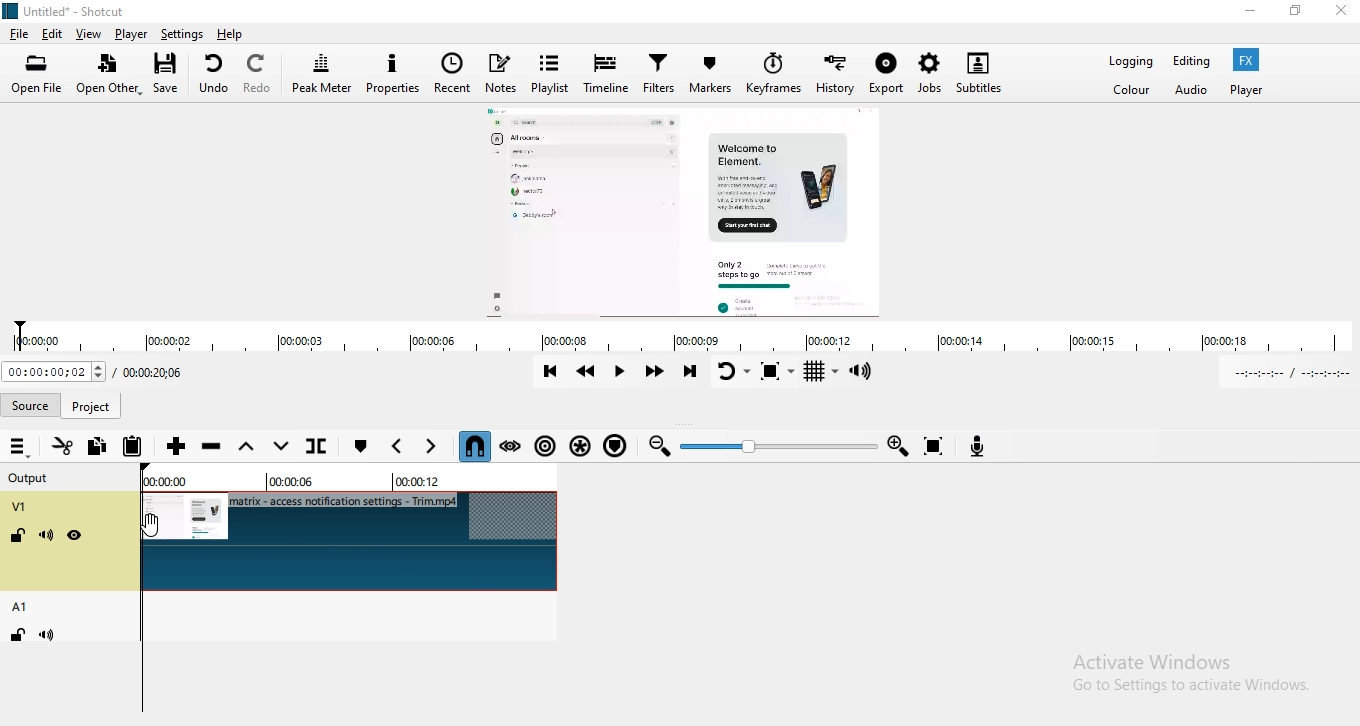 The image size is (1360, 726). What do you see at coordinates (1252, 89) in the screenshot?
I see `Player` at bounding box center [1252, 89].